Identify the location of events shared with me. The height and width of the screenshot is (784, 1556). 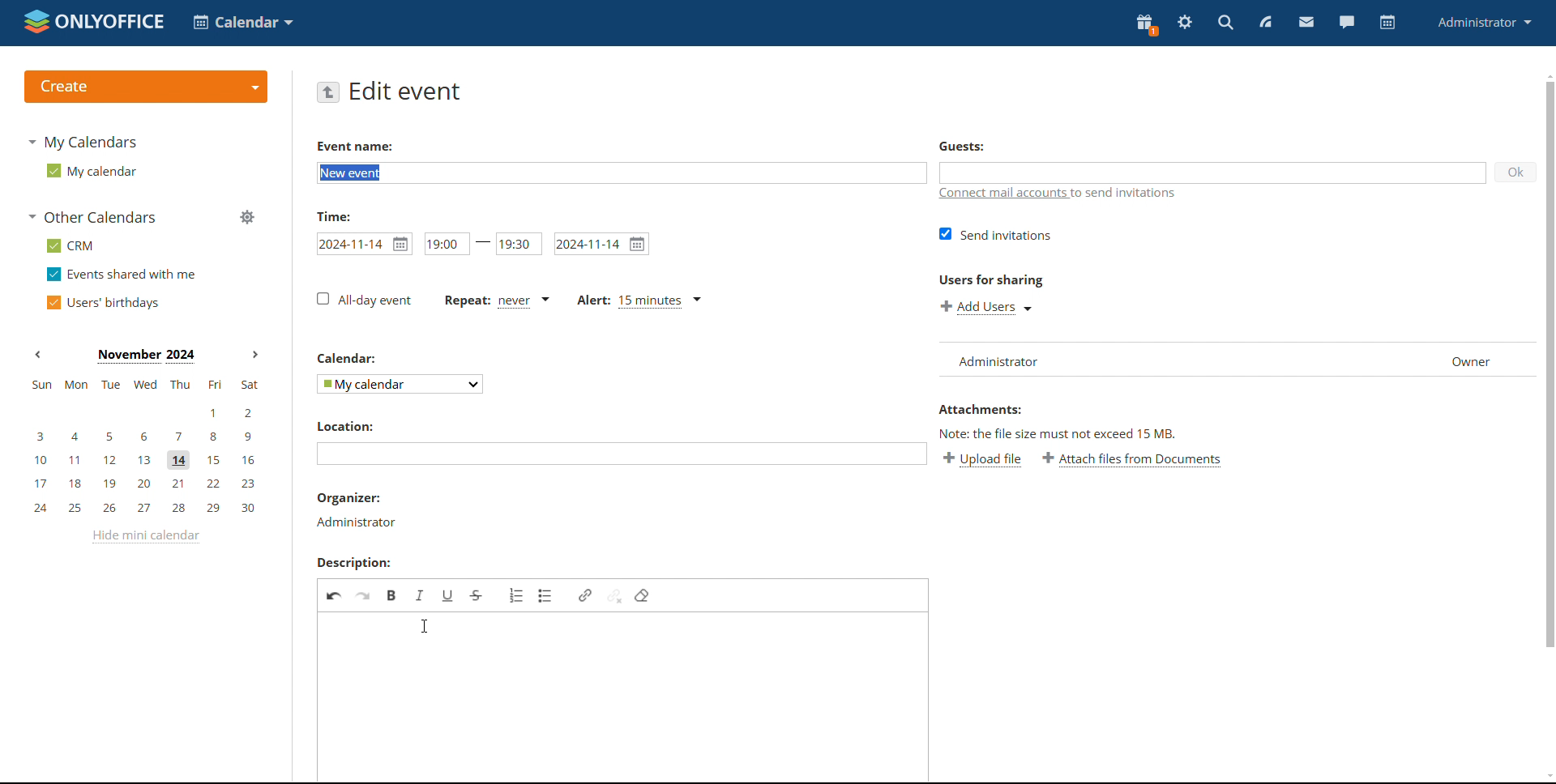
(123, 275).